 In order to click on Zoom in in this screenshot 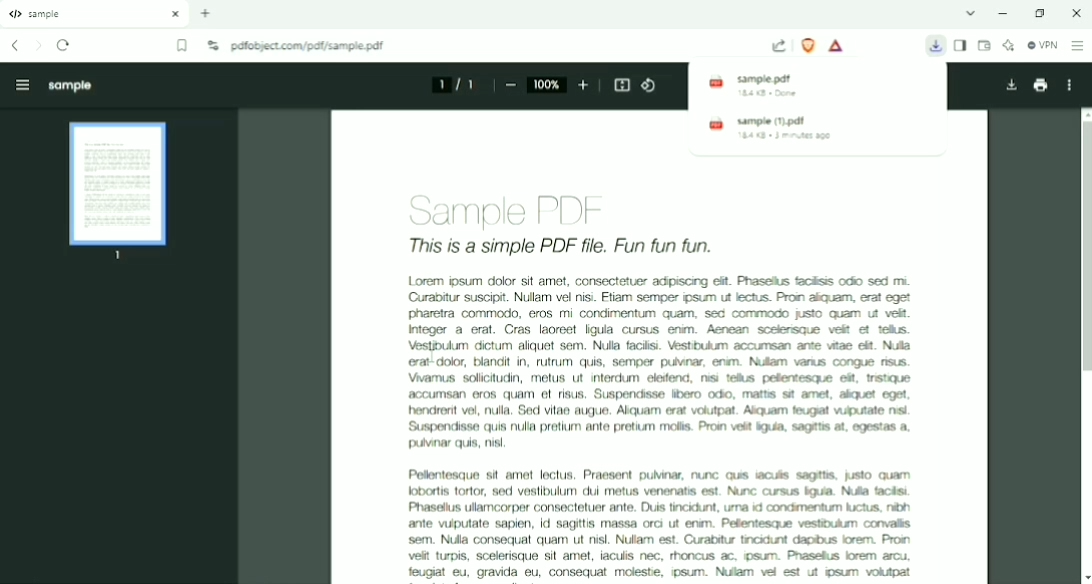, I will do `click(584, 85)`.